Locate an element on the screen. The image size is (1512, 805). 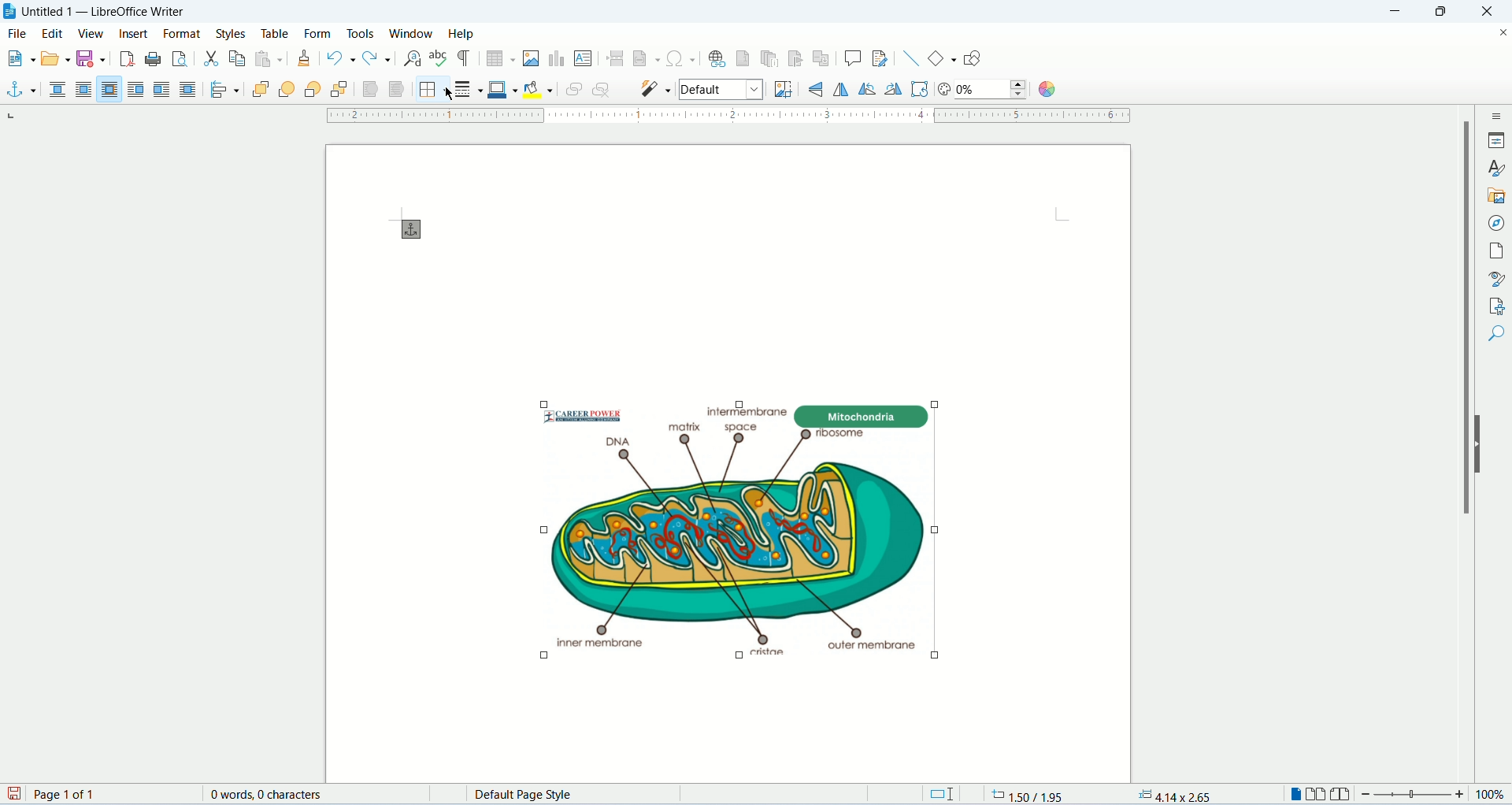
1.50/1.95 4.14x2.65 is located at coordinates (1104, 793).